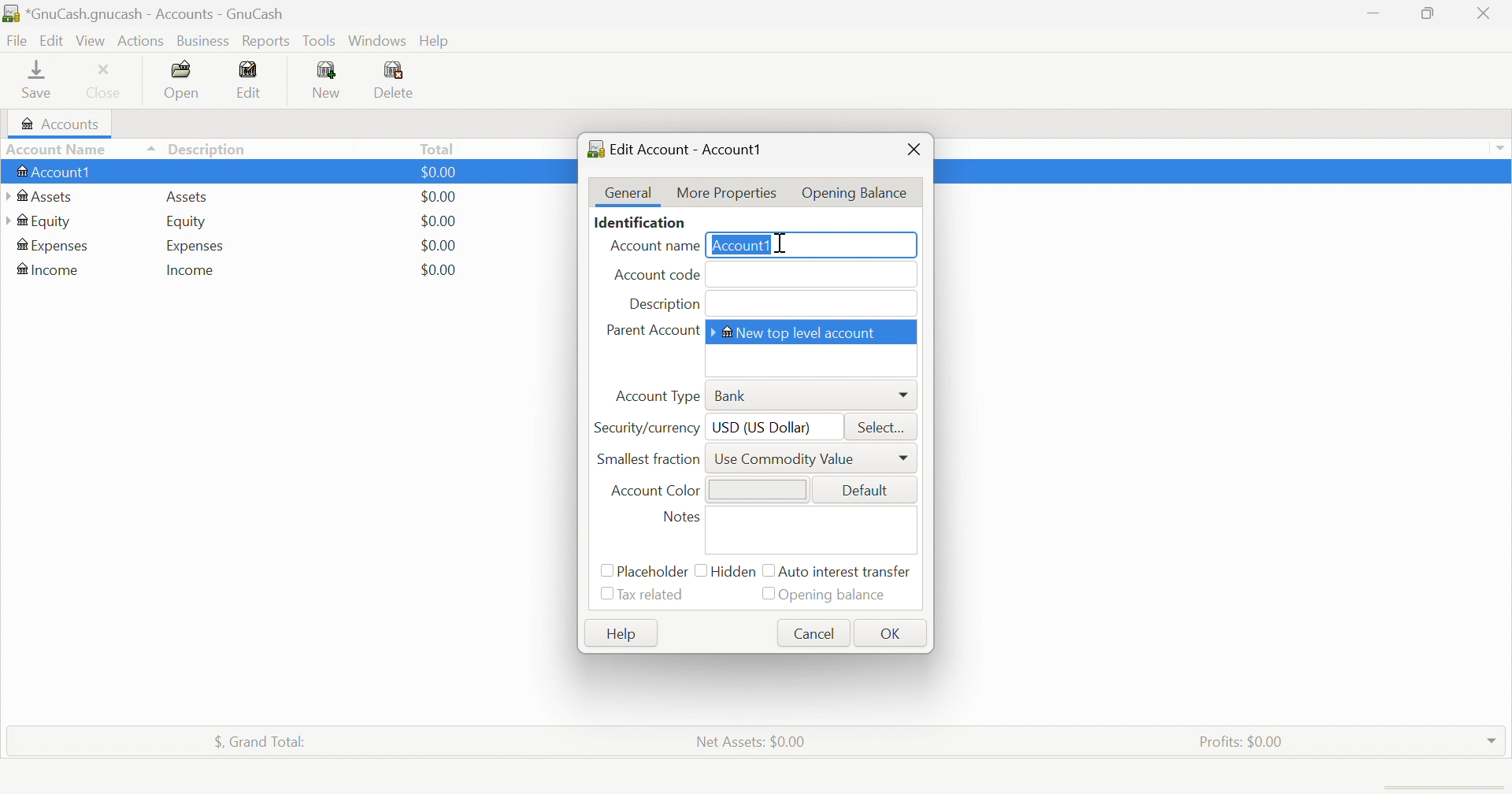  I want to click on Expenses, so click(195, 248).